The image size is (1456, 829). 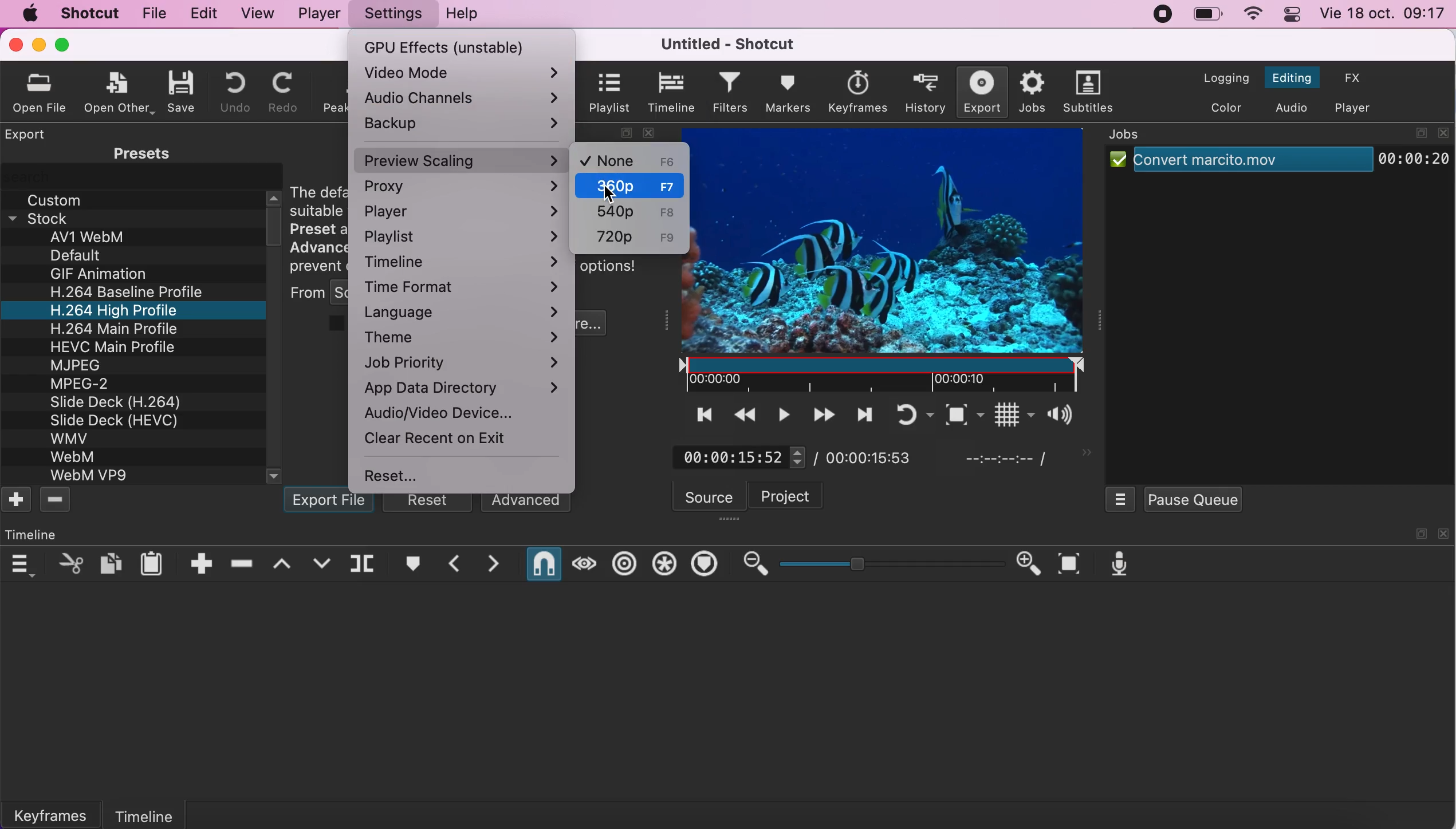 I want to click on zoom in, so click(x=1030, y=564).